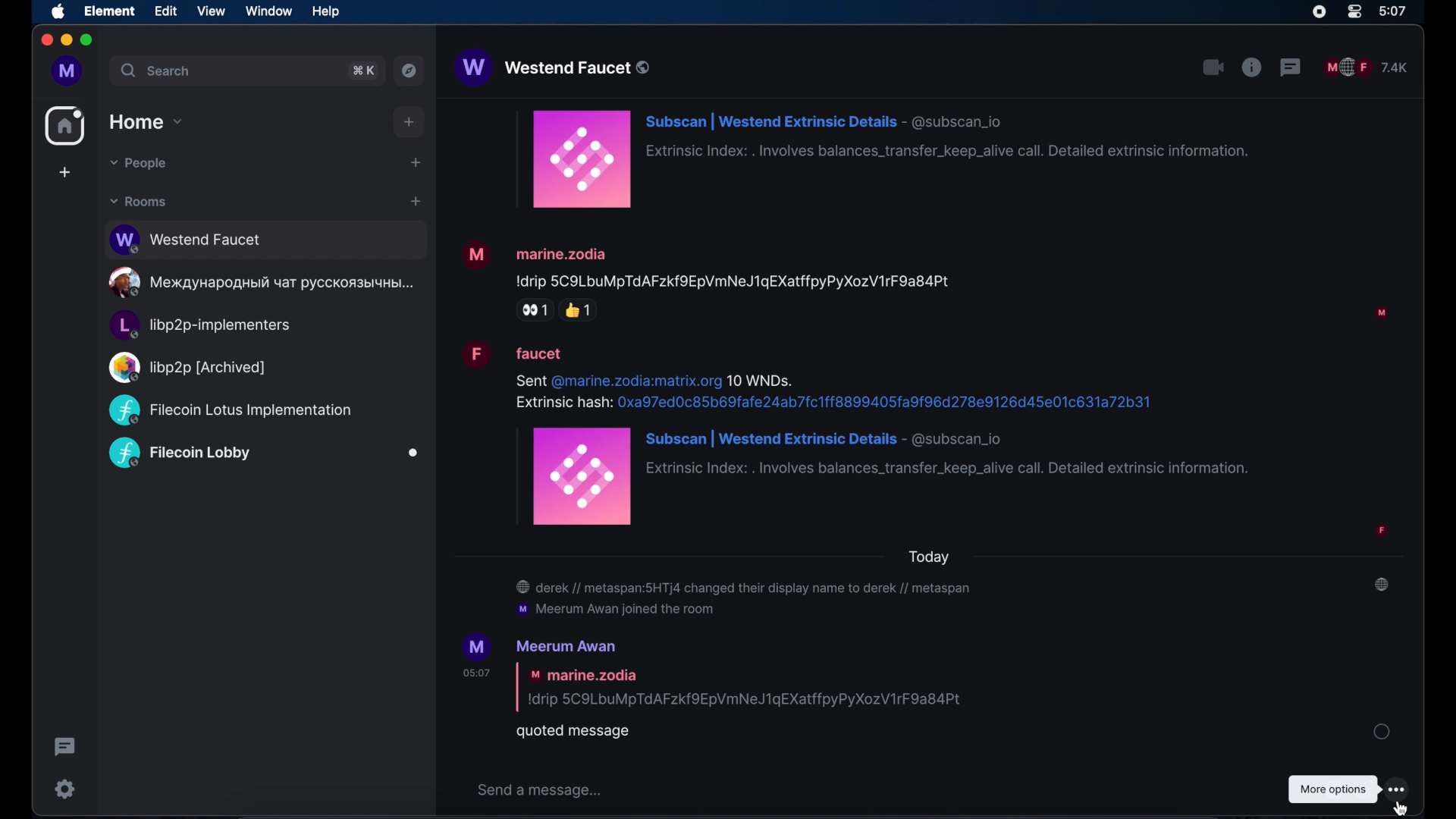 This screenshot has width=1456, height=819. What do you see at coordinates (66, 173) in the screenshot?
I see `create  space` at bounding box center [66, 173].